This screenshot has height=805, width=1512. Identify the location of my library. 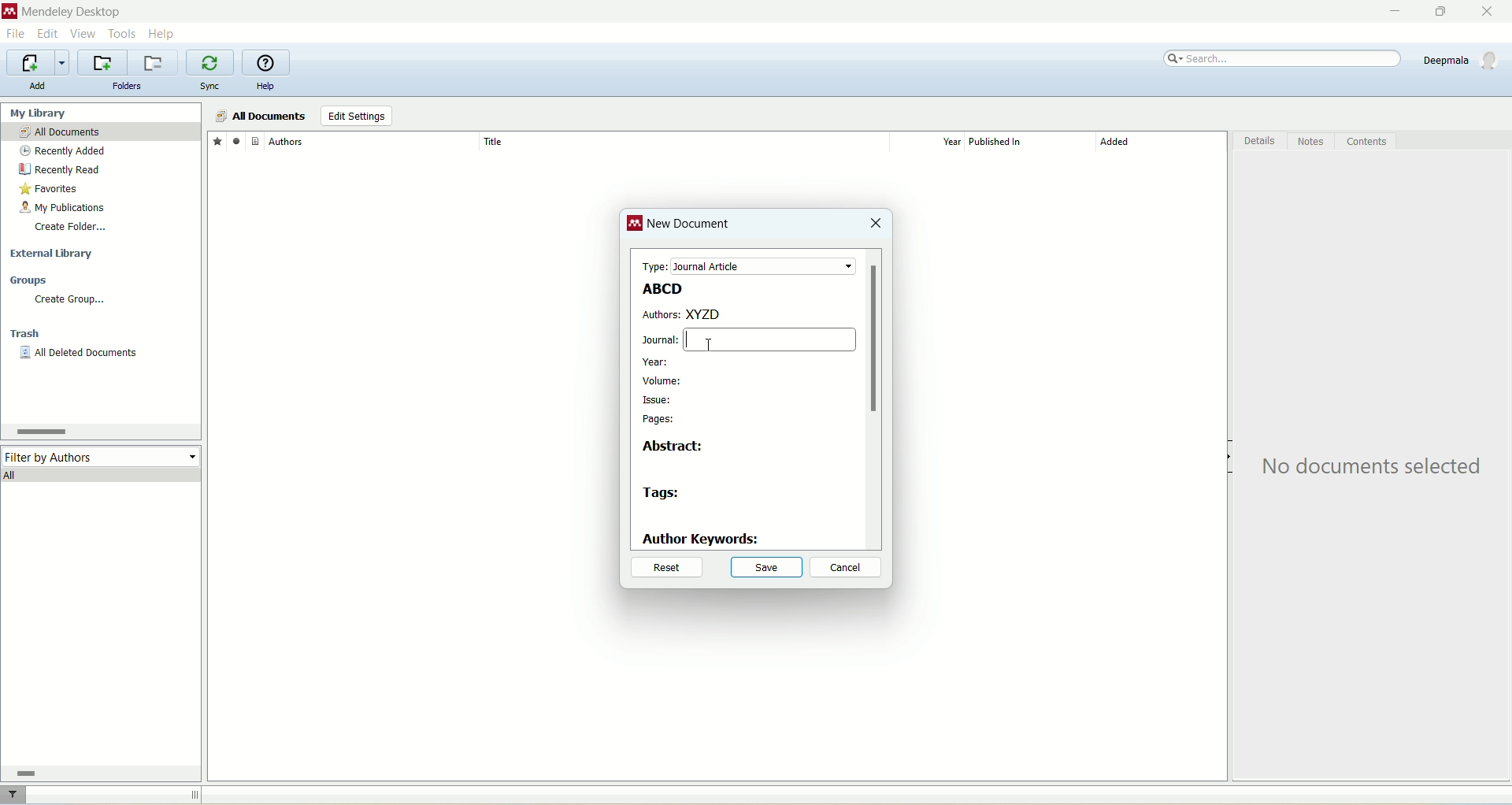
(40, 113).